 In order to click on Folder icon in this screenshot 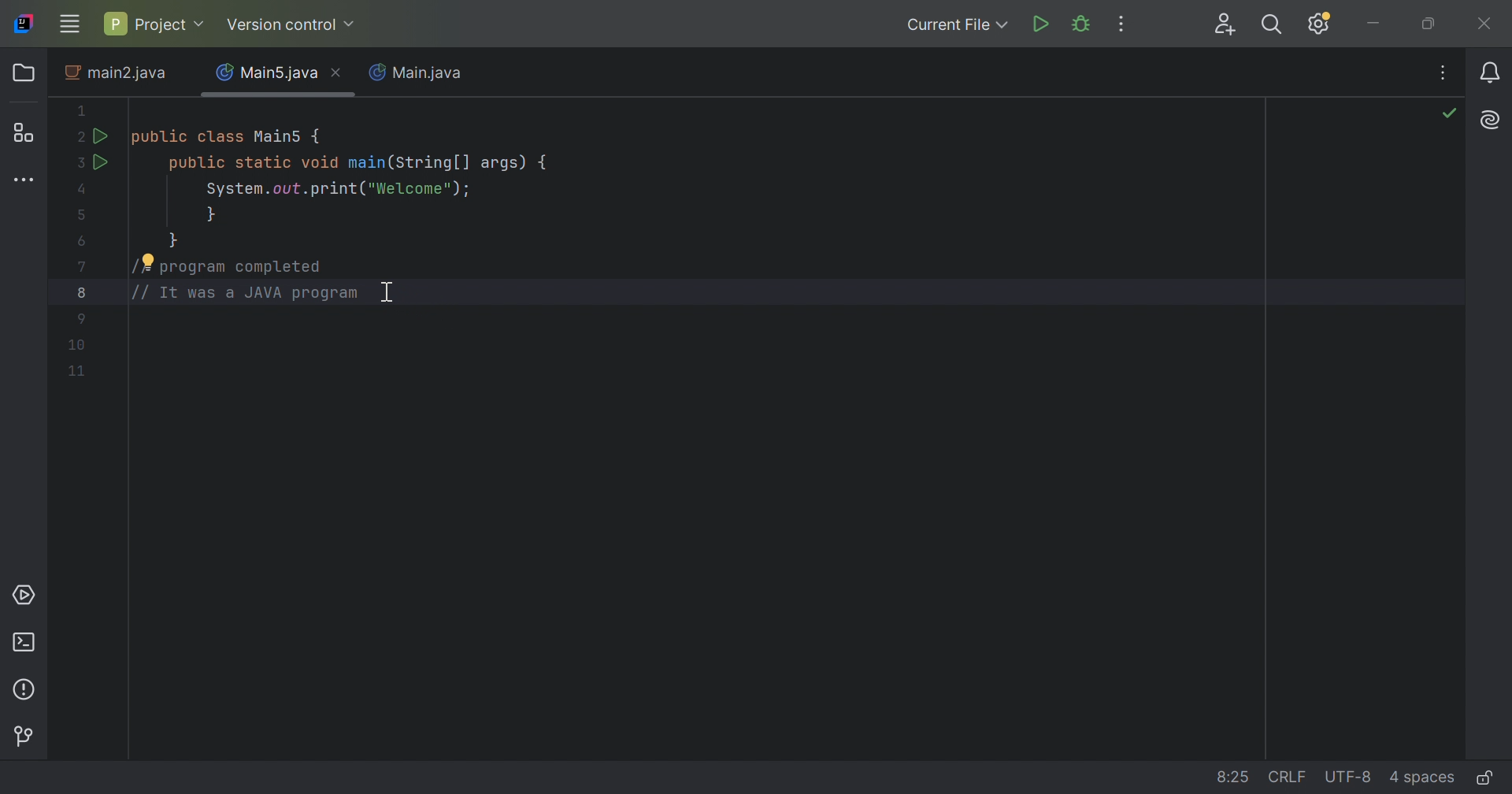, I will do `click(24, 74)`.